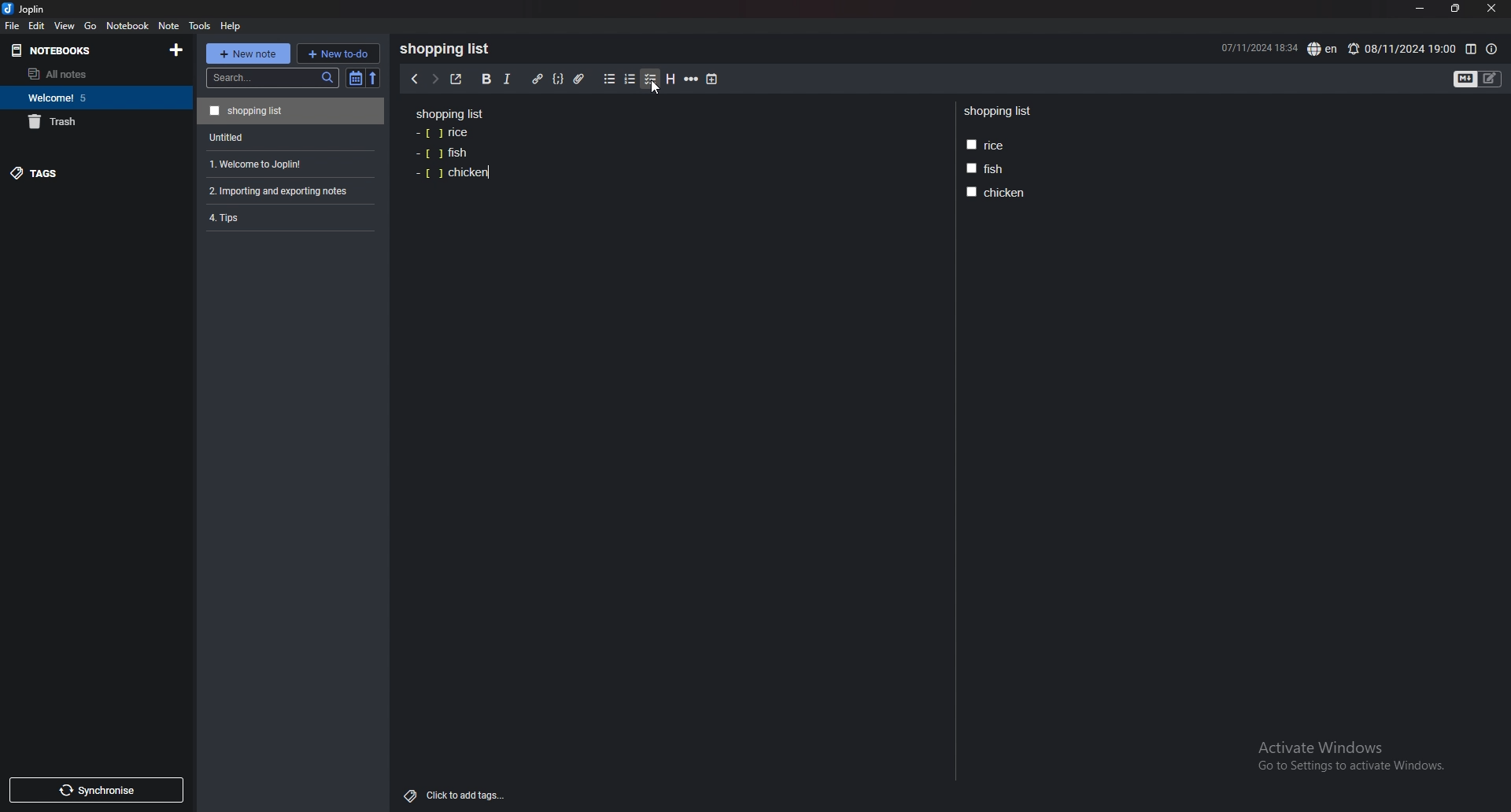 The image size is (1511, 812). I want to click on Chicken, so click(453, 174).